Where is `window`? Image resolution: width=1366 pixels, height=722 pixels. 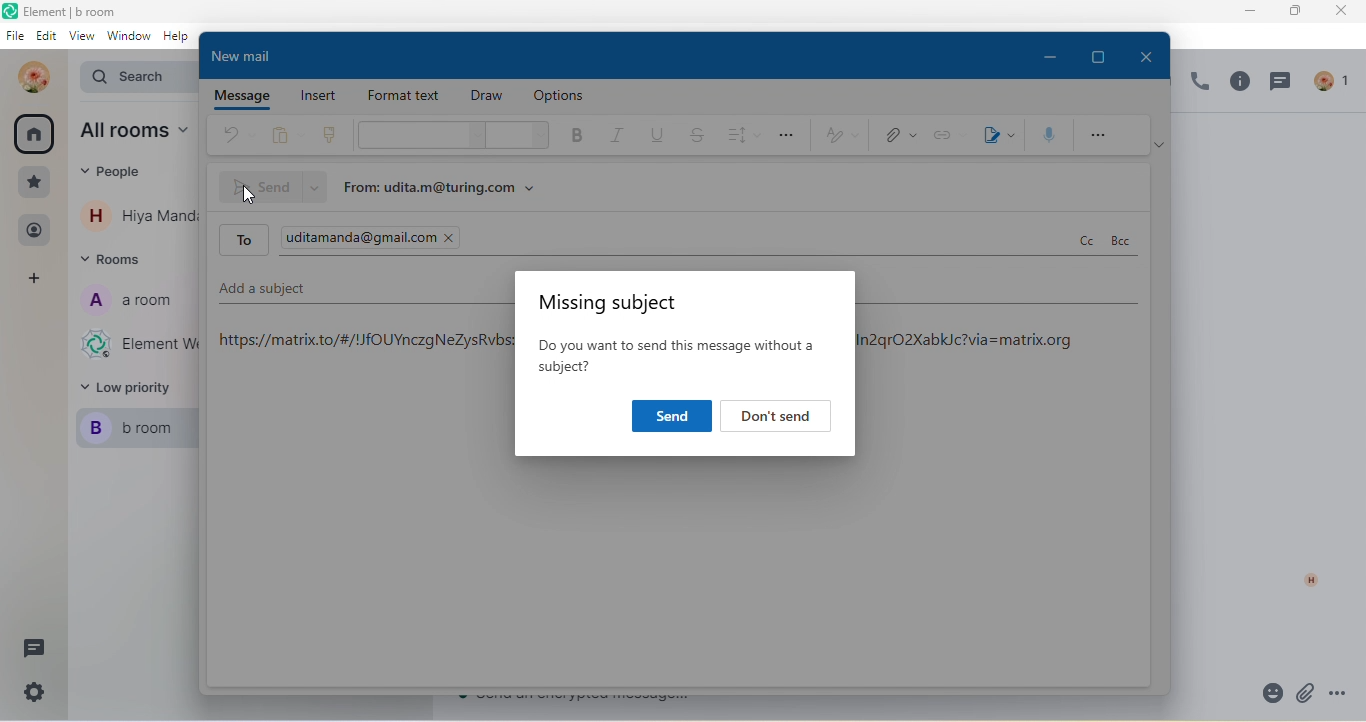 window is located at coordinates (128, 41).